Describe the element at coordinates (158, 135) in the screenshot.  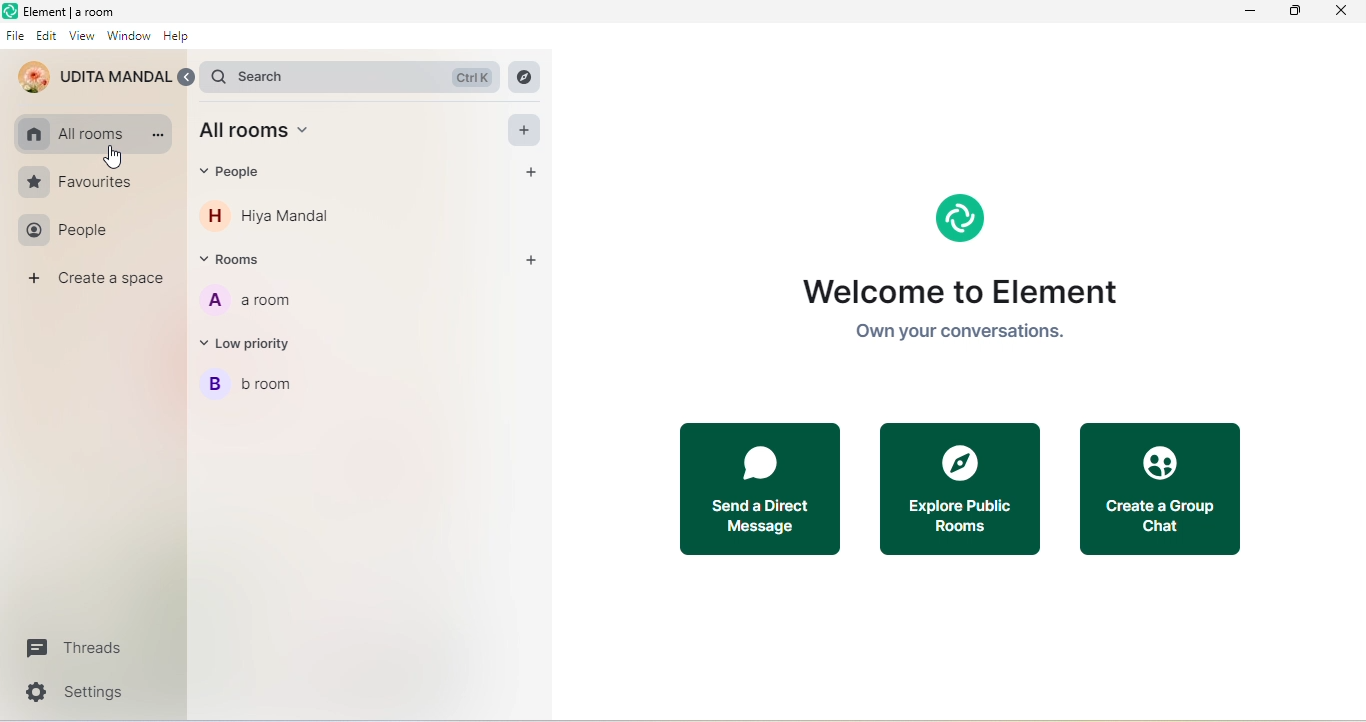
I see `More Option` at that location.